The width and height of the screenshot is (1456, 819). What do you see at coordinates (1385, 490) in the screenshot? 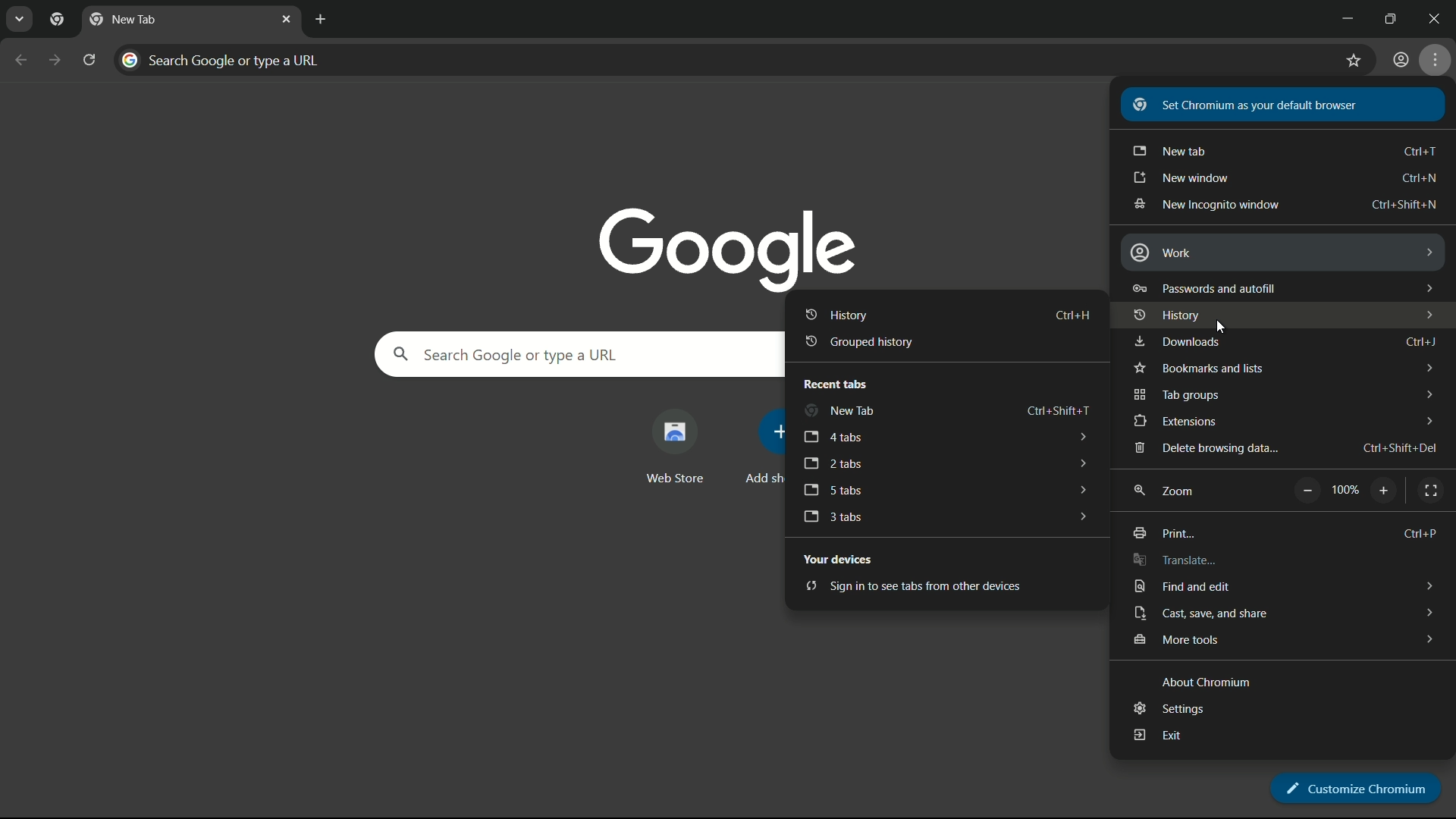
I see `zoom in` at bounding box center [1385, 490].